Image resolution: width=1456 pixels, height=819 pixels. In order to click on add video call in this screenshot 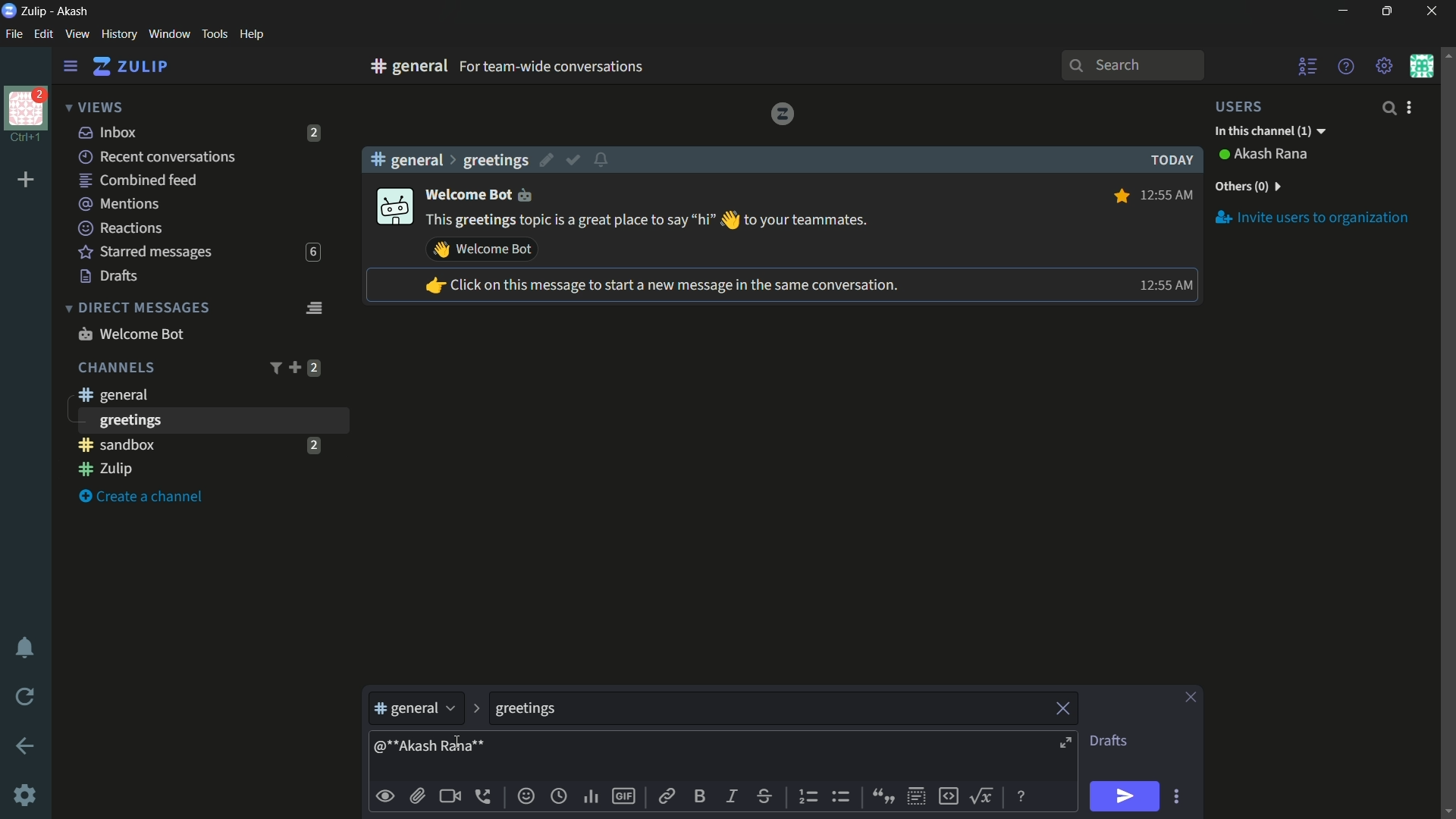, I will do `click(450, 796)`.